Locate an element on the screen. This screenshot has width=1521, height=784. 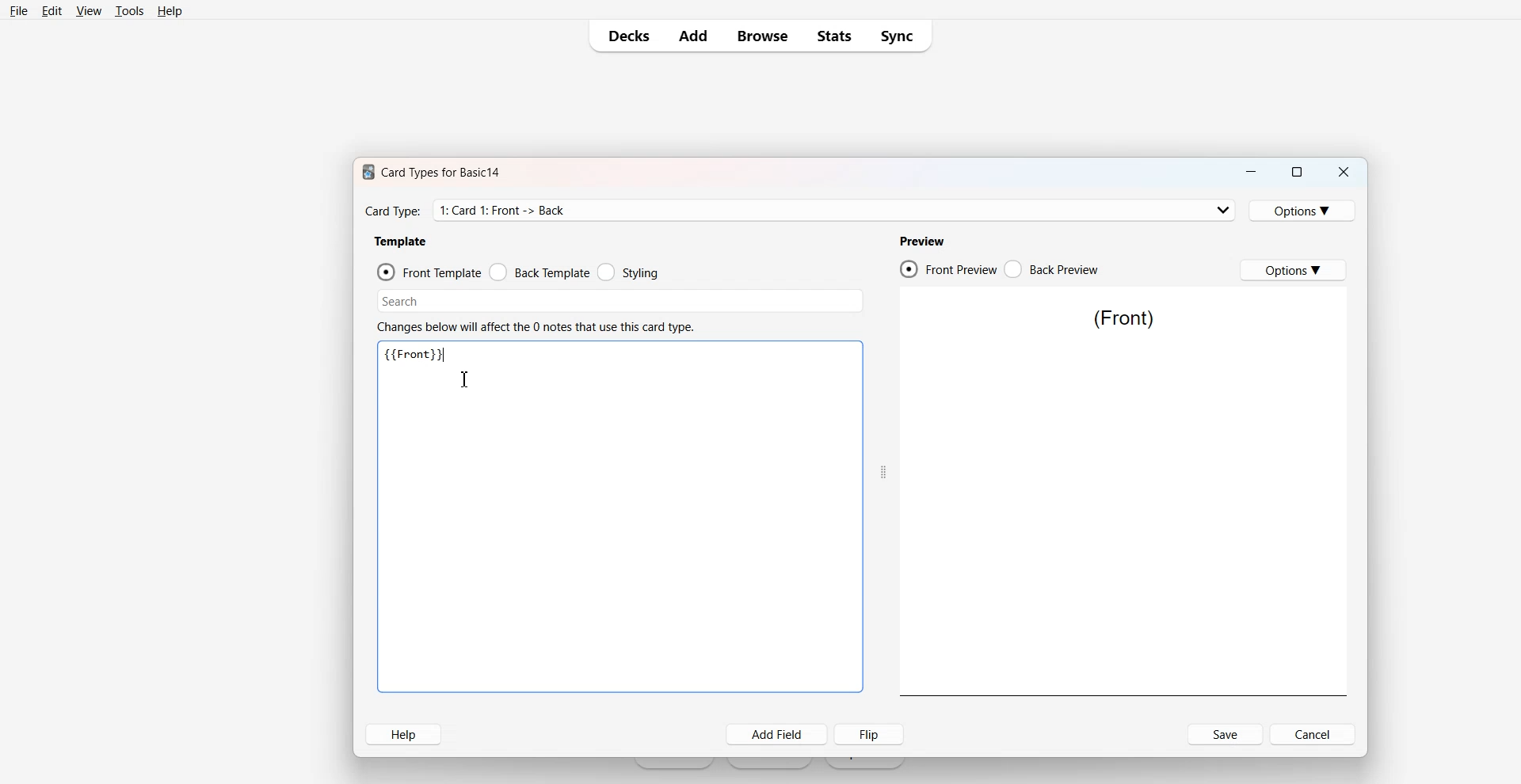
Maximize is located at coordinates (1298, 172).